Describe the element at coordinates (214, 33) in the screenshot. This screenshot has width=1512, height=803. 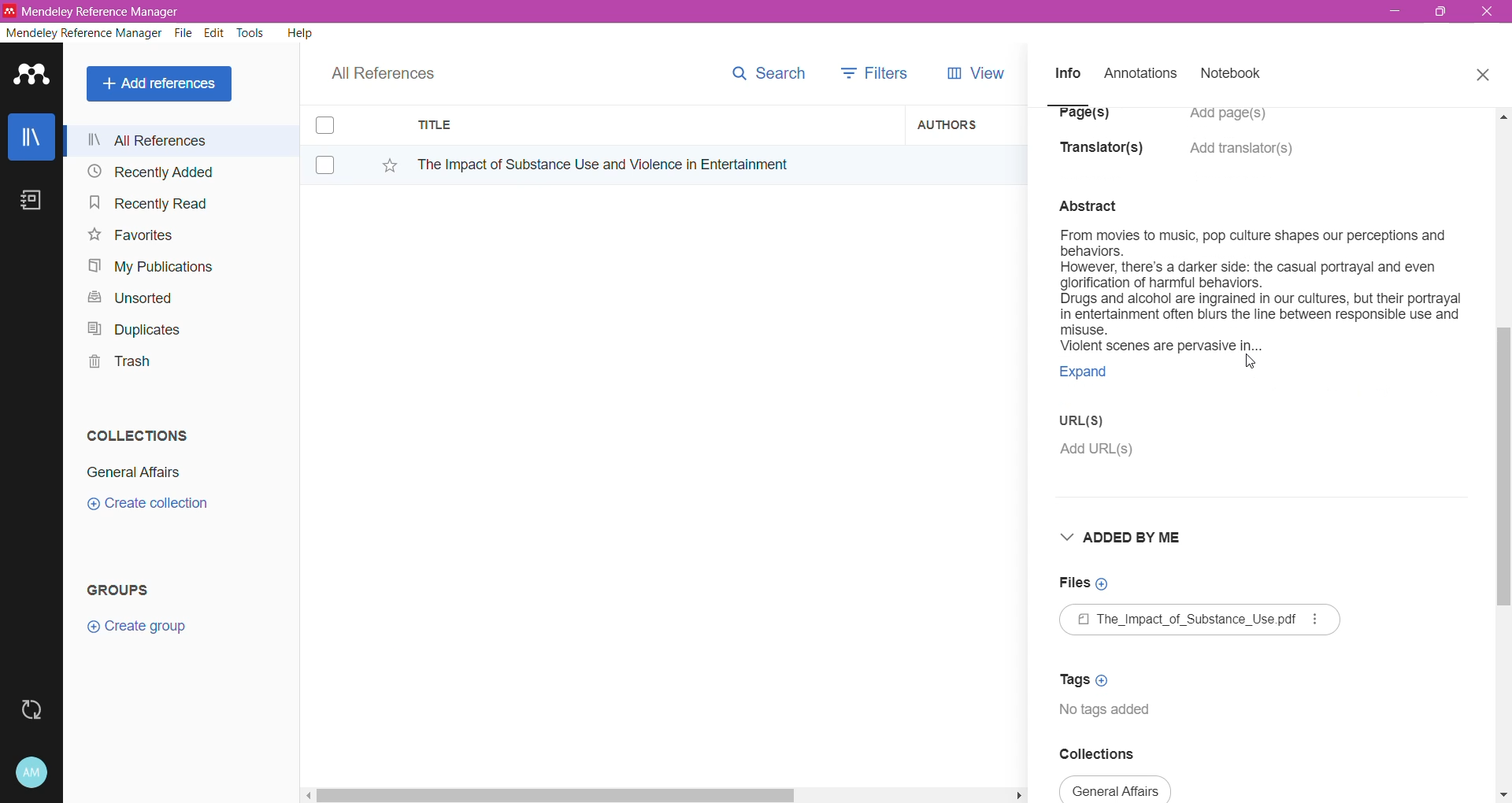
I see `Edit` at that location.